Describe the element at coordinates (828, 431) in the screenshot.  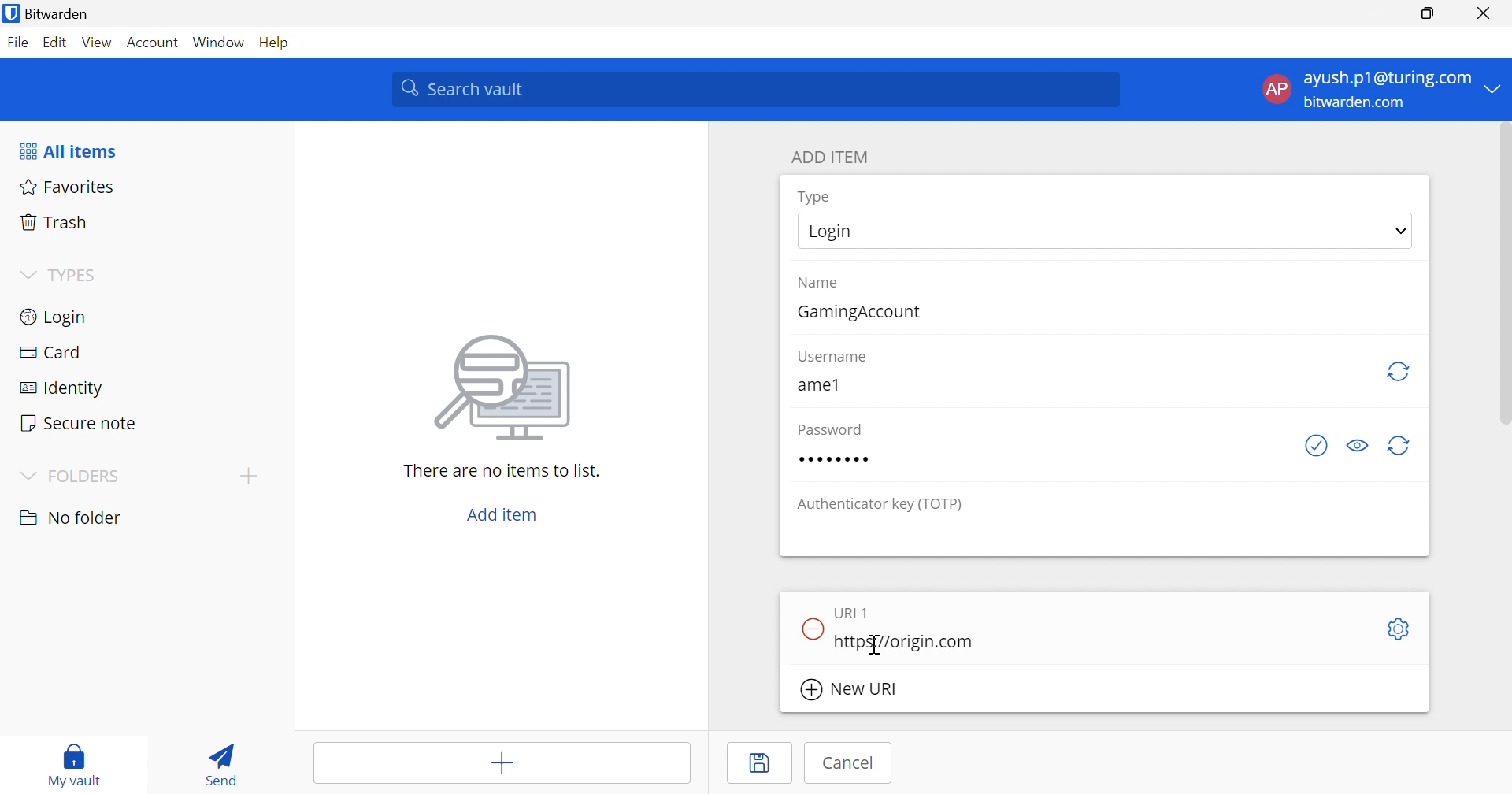
I see `Password` at that location.